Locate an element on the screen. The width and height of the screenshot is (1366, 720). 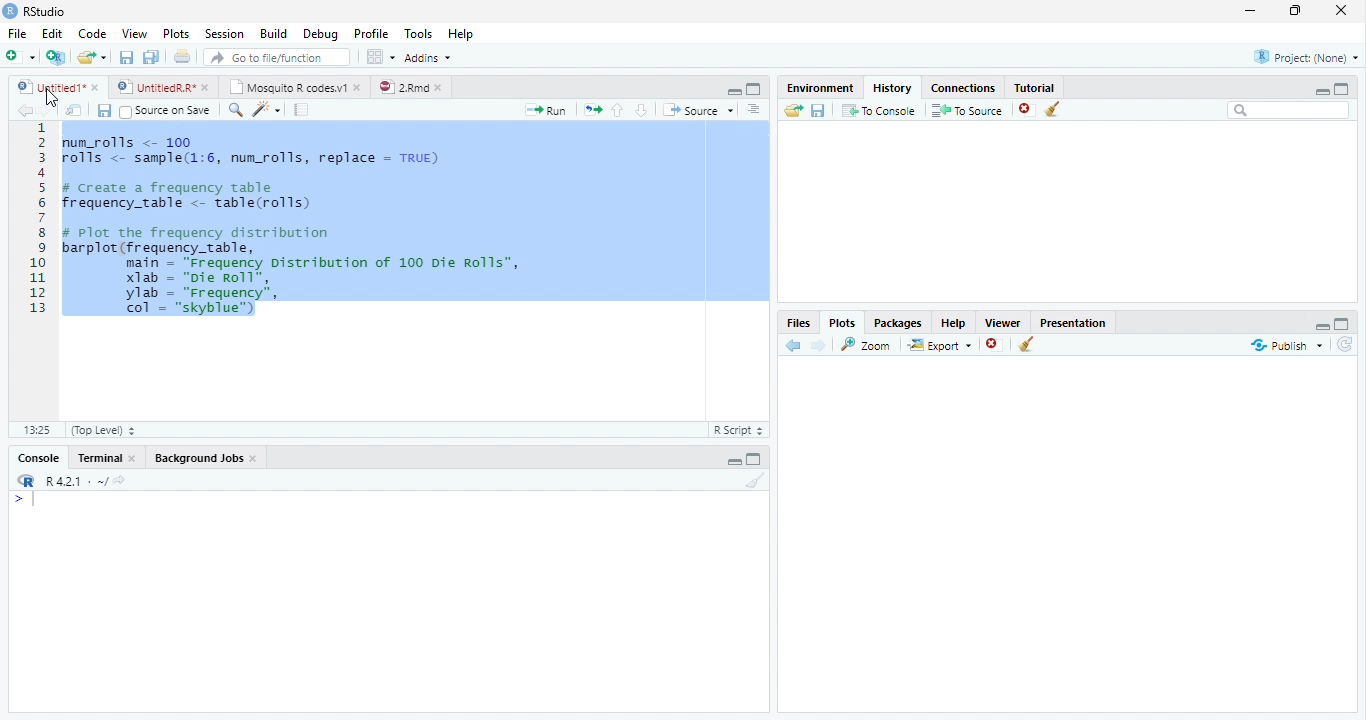
Maximize is located at coordinates (1296, 11).